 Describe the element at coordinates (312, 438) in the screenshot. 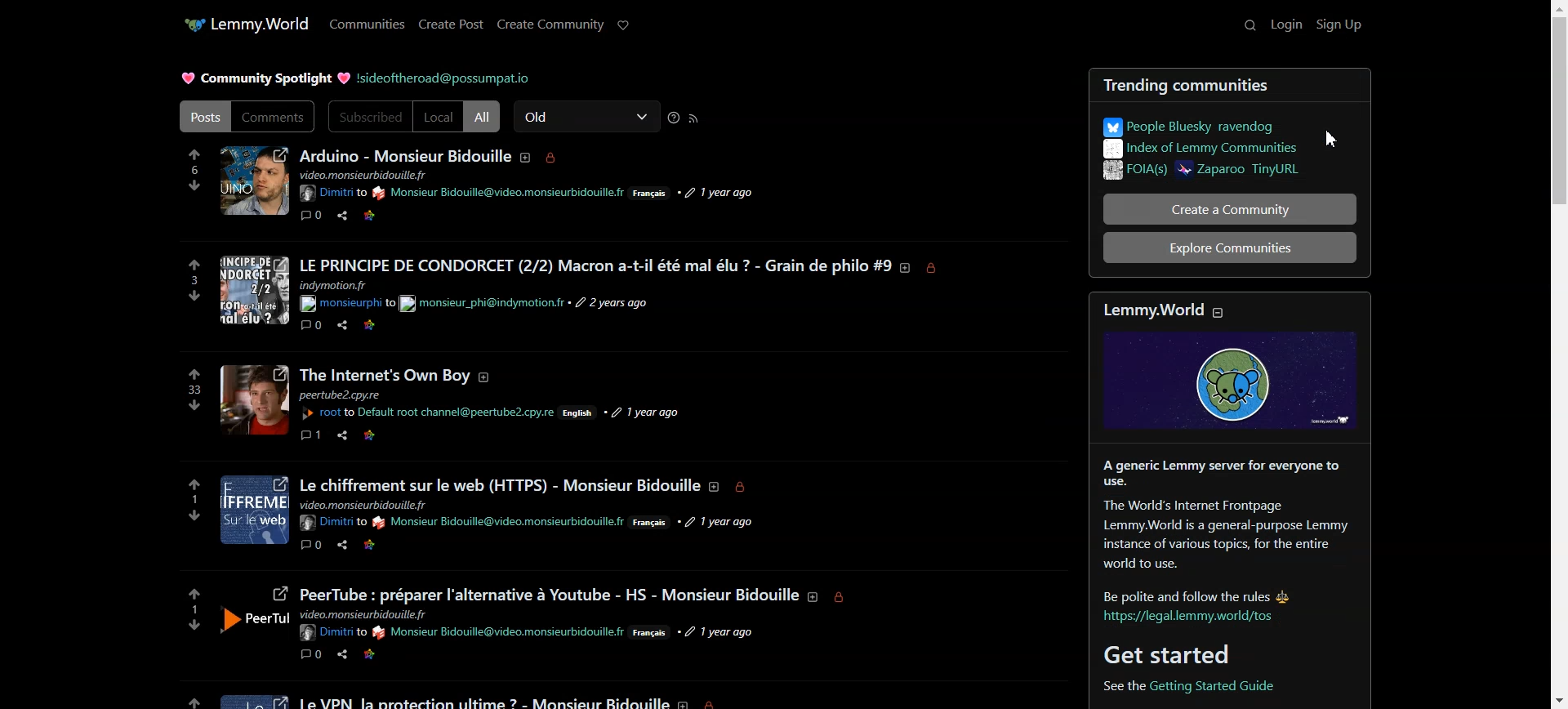

I see `comment` at that location.